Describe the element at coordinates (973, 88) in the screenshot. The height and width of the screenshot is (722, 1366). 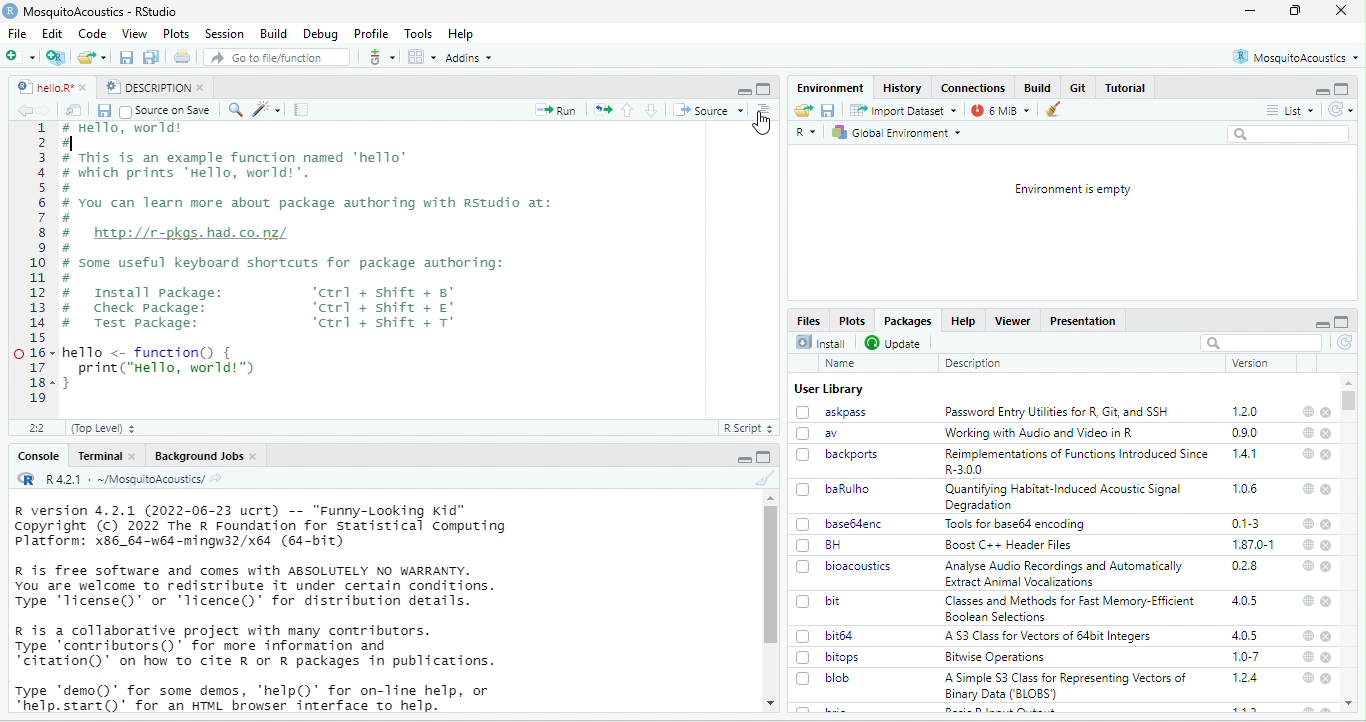
I see `Connections` at that location.